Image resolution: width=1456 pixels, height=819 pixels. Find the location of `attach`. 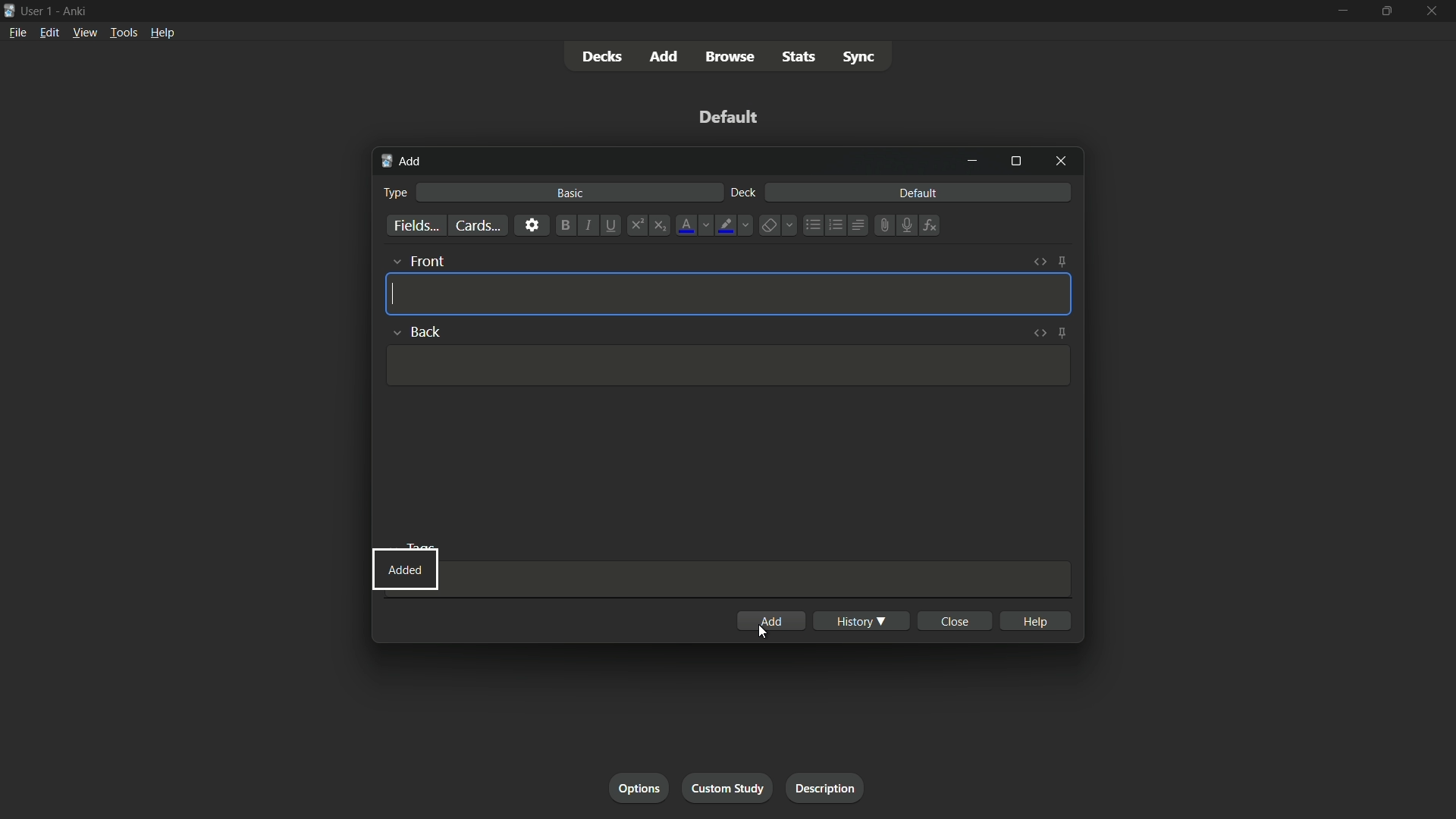

attach is located at coordinates (881, 225).